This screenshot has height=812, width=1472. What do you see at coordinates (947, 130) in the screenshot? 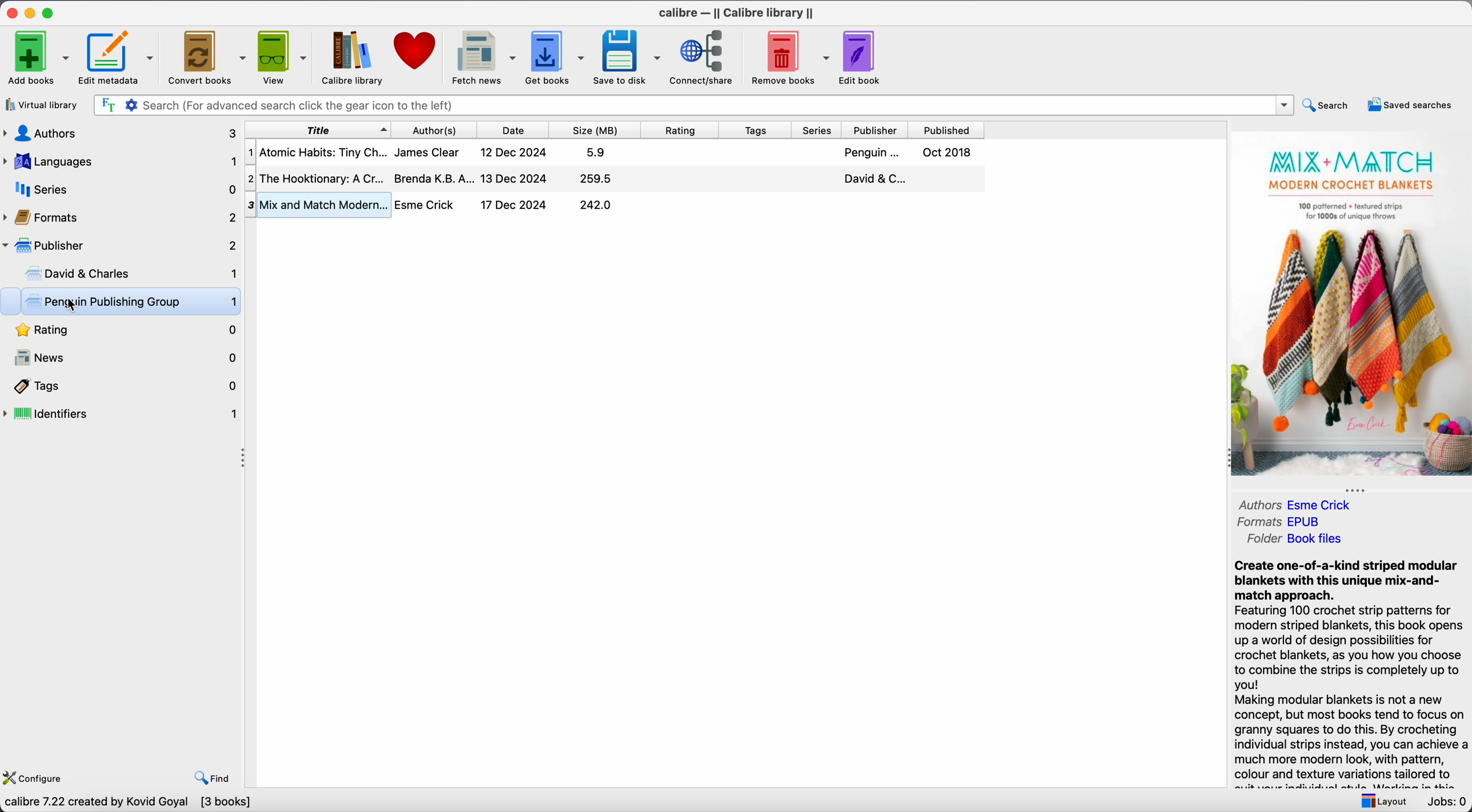
I see `published` at bounding box center [947, 130].